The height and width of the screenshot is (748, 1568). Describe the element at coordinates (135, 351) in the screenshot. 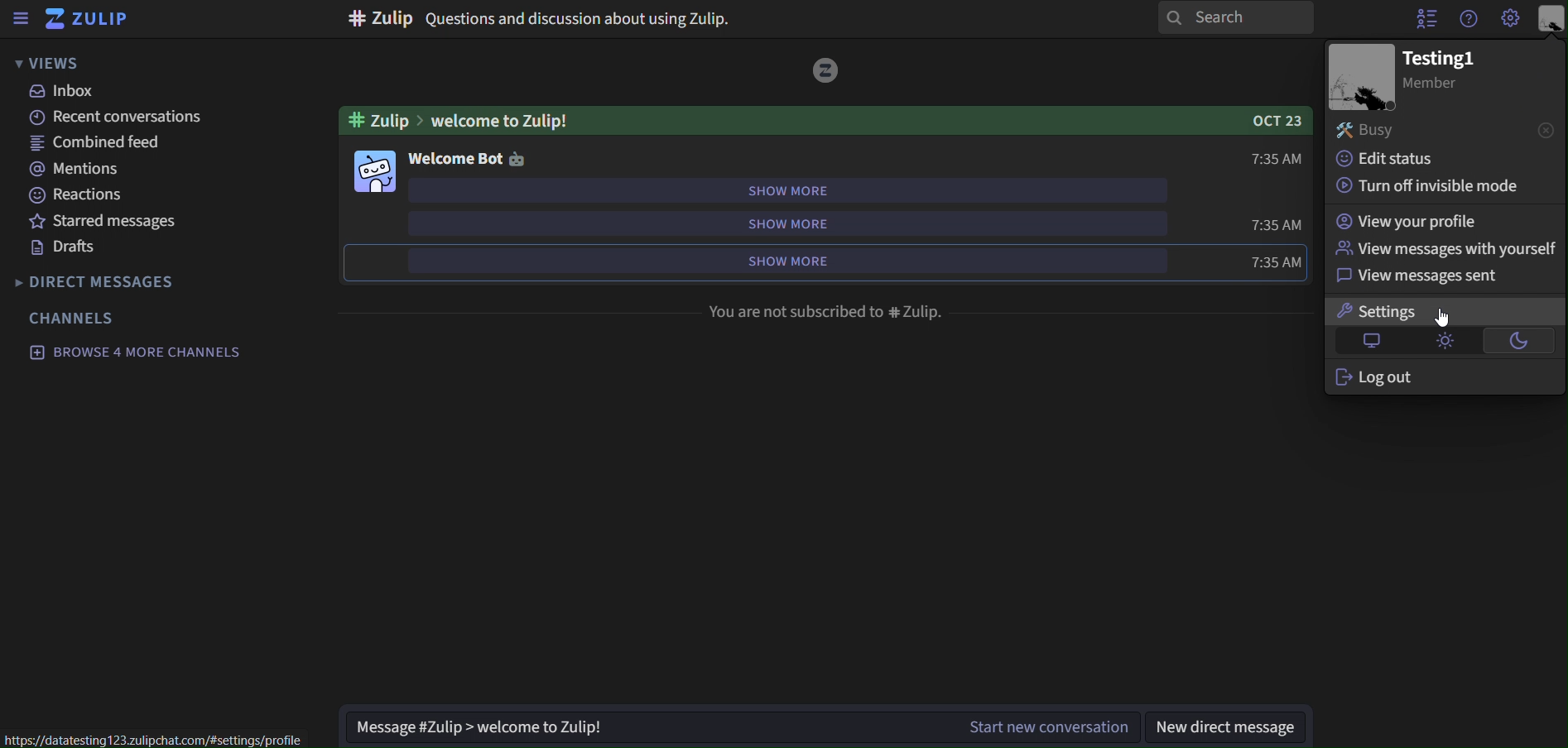

I see `browse 4 more channels` at that location.